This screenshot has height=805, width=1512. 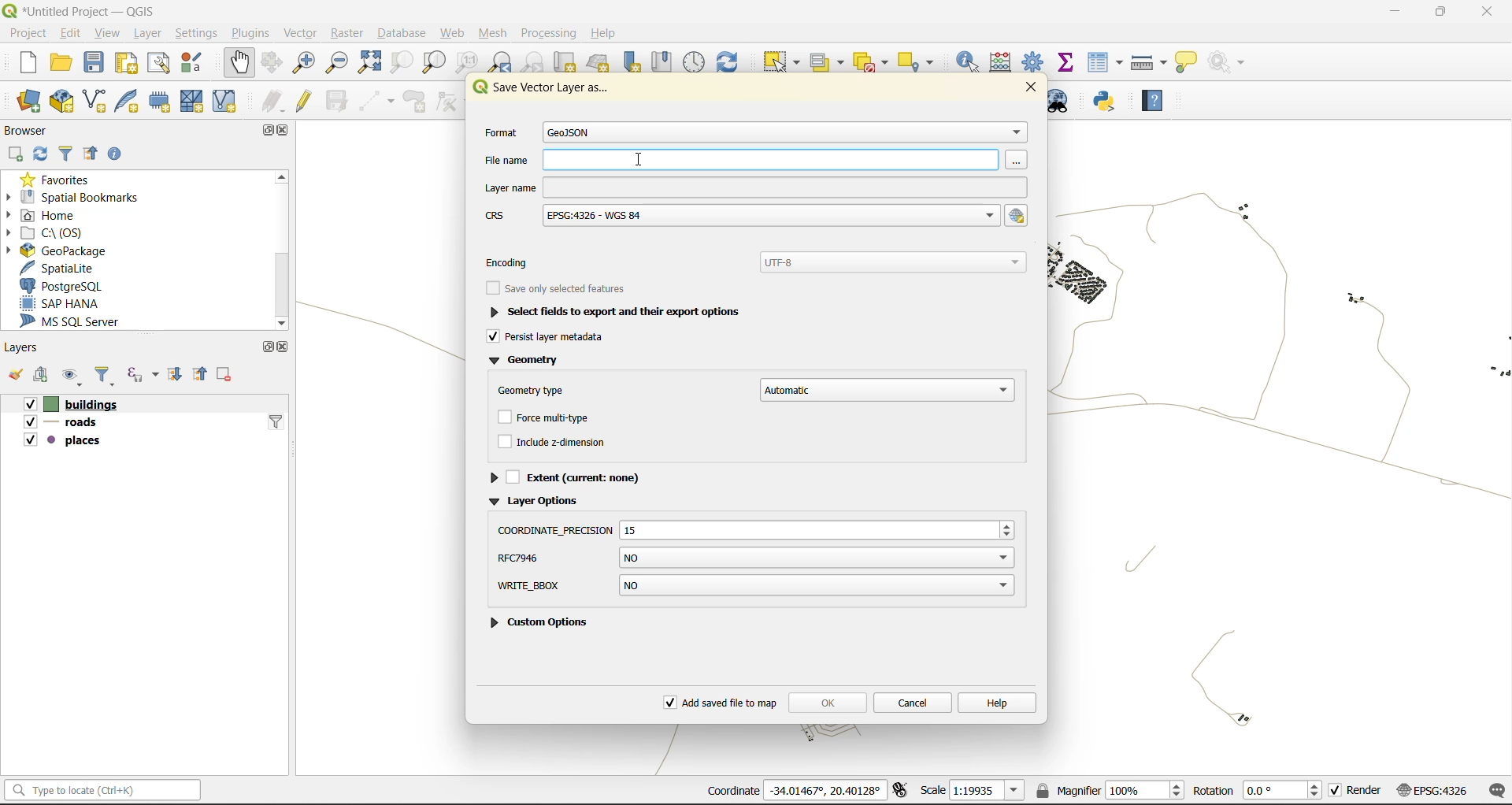 I want to click on scale, so click(x=973, y=791).